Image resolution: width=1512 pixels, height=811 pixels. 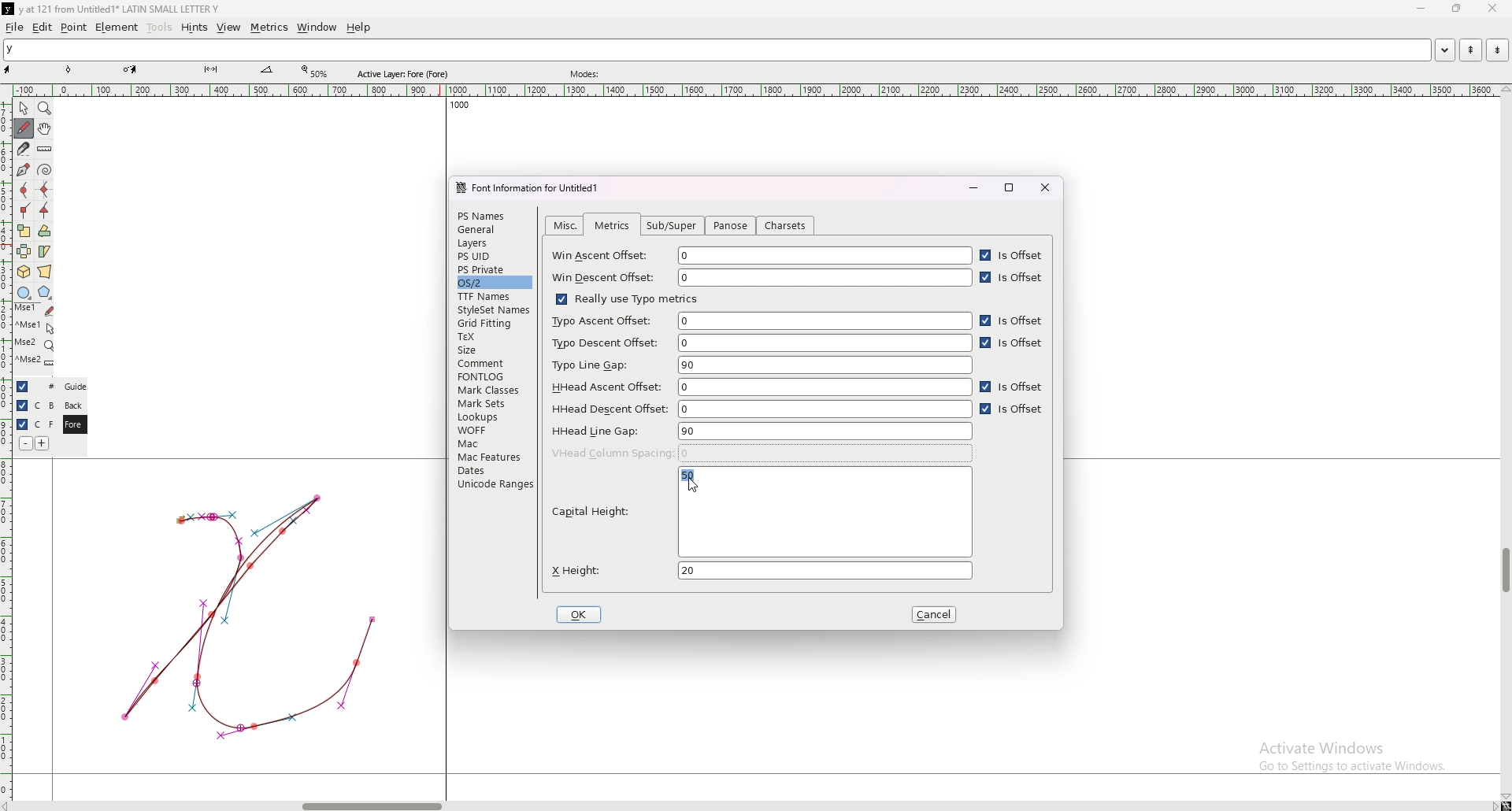 I want to click on is offset, so click(x=1013, y=388).